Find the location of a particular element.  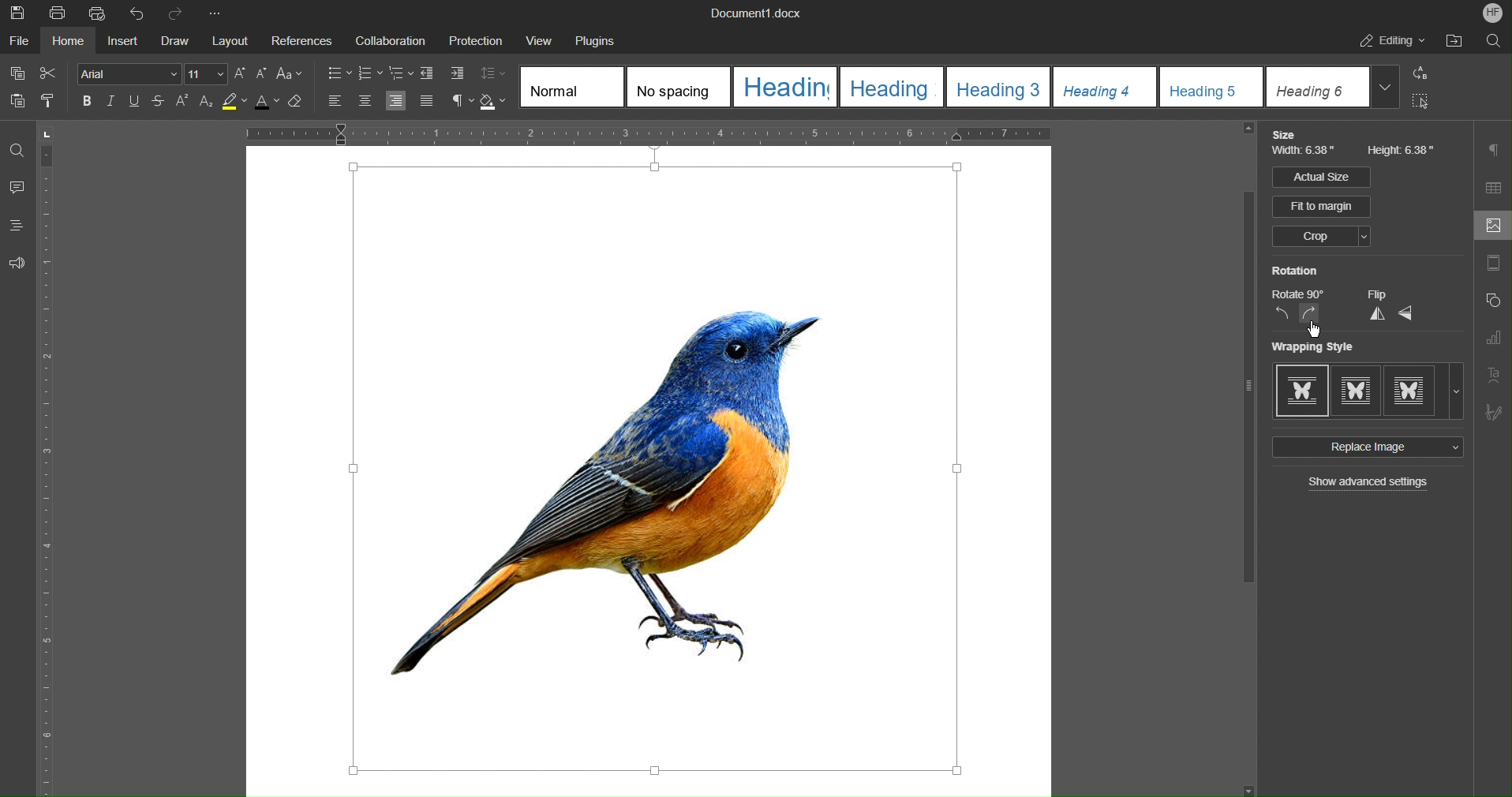

Rotate CW is located at coordinates (1312, 313).